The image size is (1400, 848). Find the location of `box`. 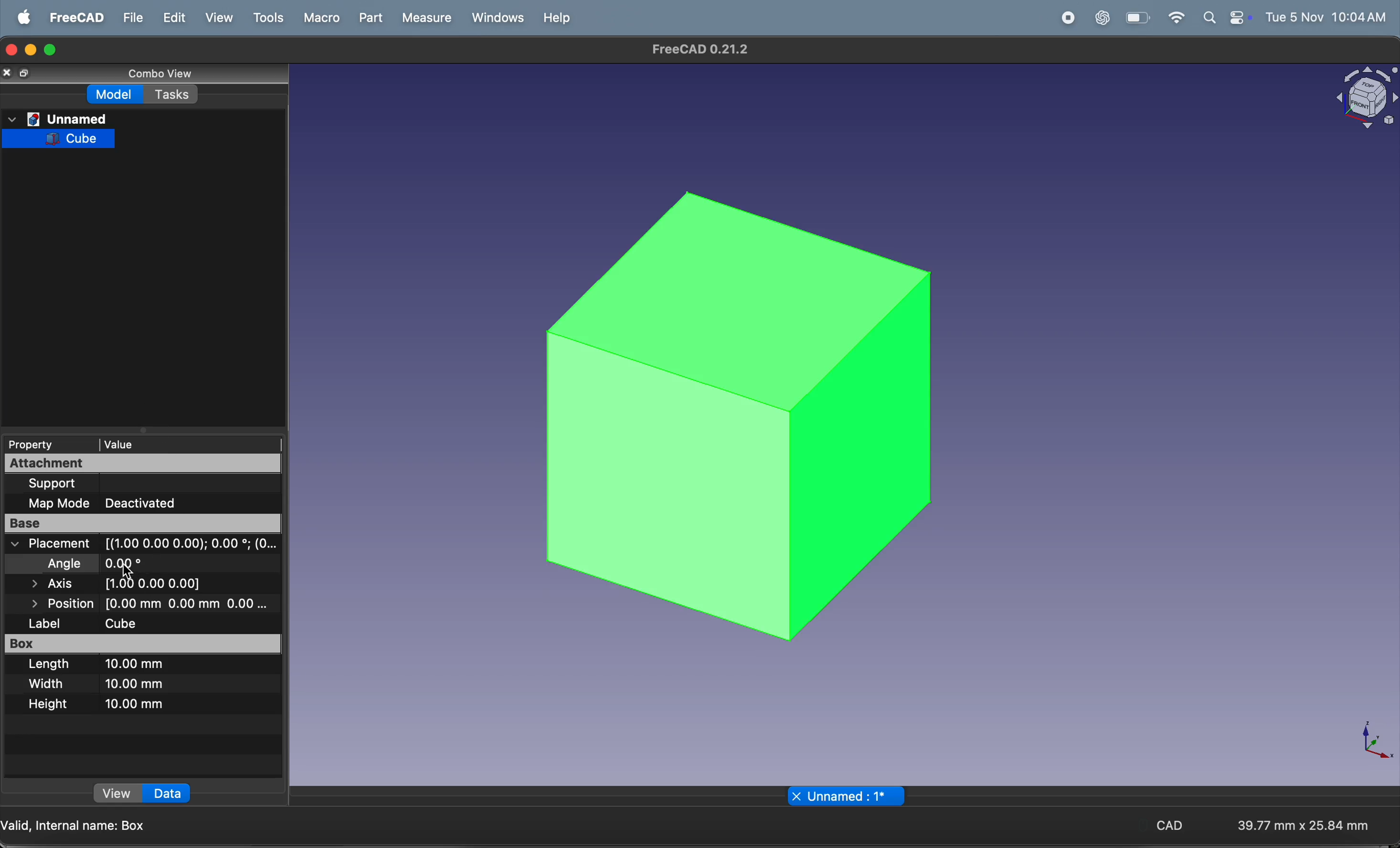

box is located at coordinates (147, 644).